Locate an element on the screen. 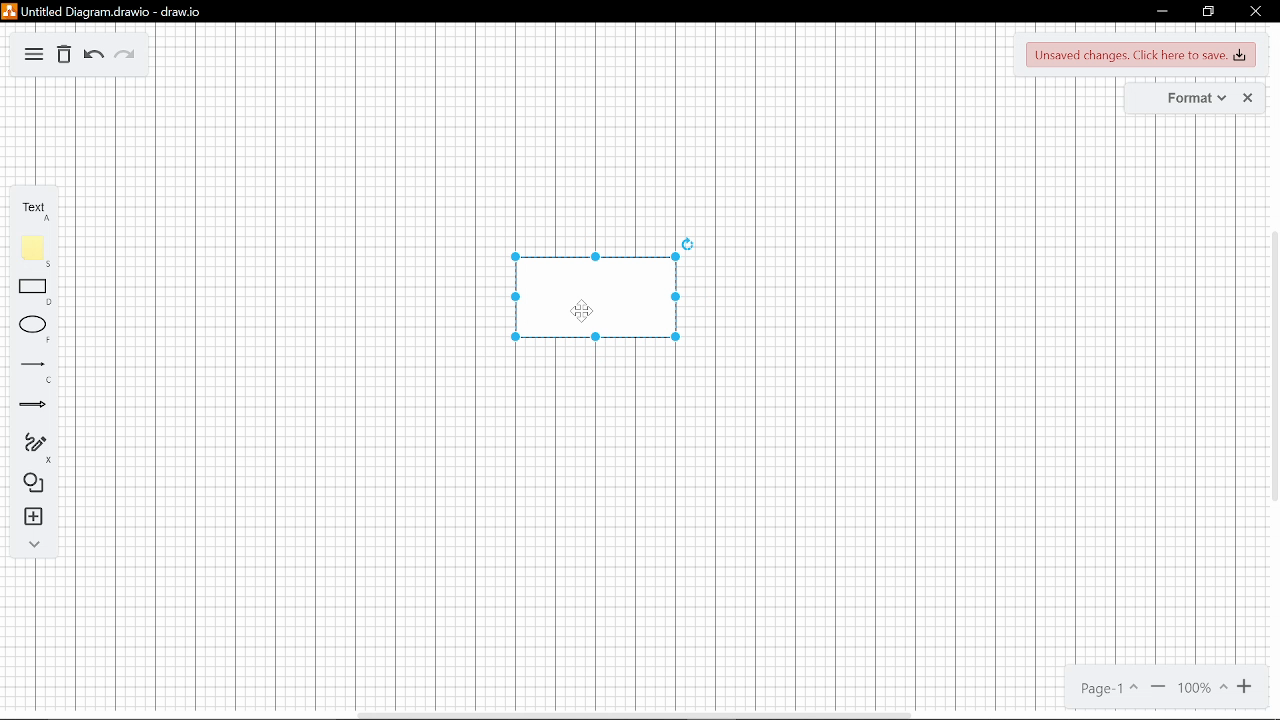 Image resolution: width=1280 pixels, height=720 pixels. Rectangle is located at coordinates (34, 289).